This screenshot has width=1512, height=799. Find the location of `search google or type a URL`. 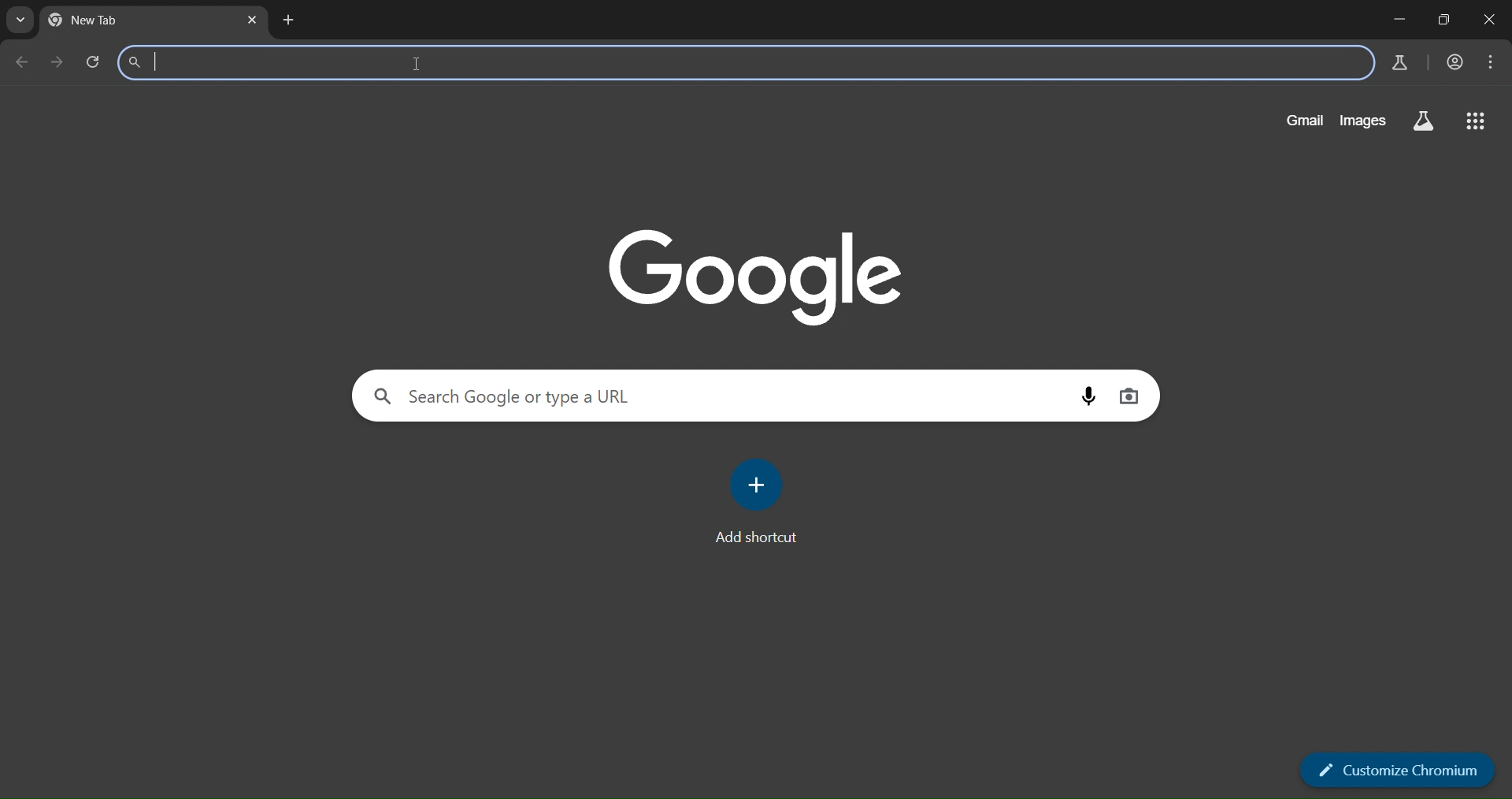

search google or type a URL is located at coordinates (746, 63).